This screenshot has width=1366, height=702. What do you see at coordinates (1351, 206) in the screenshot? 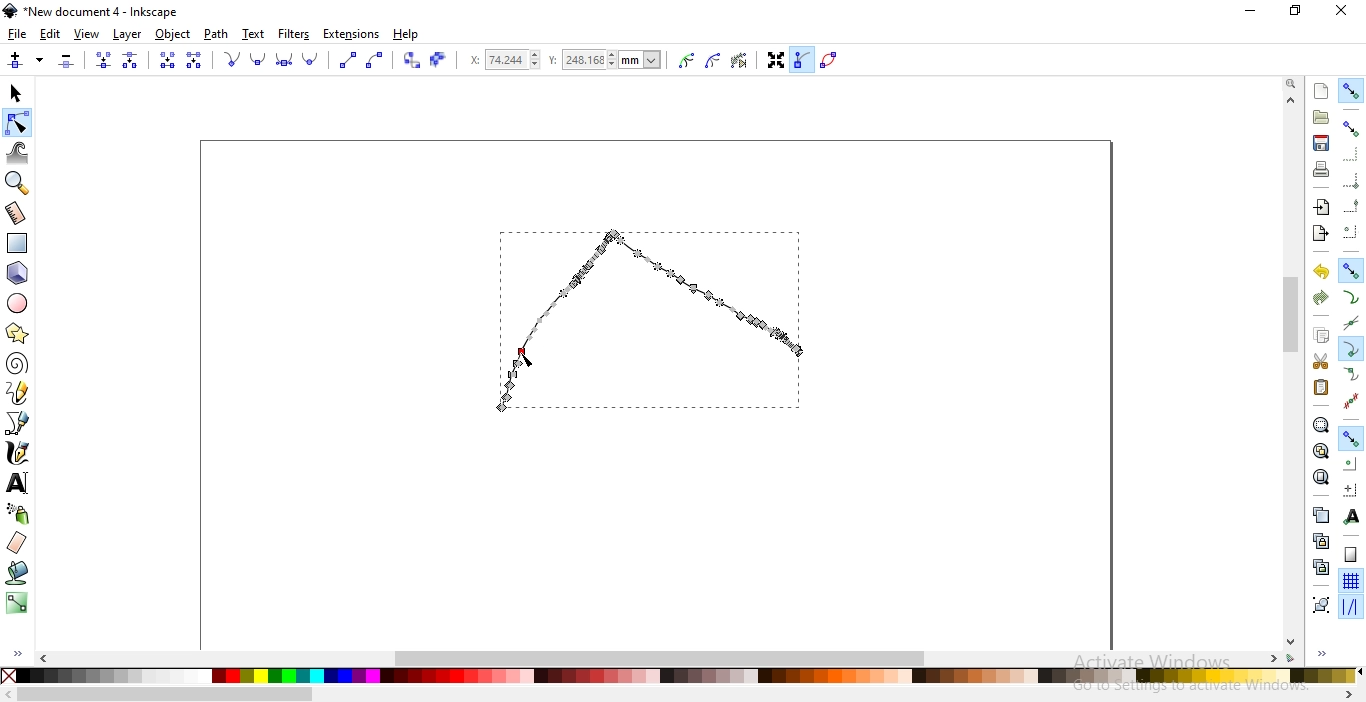
I see `snap midpointsof bounding boxes edges` at bounding box center [1351, 206].